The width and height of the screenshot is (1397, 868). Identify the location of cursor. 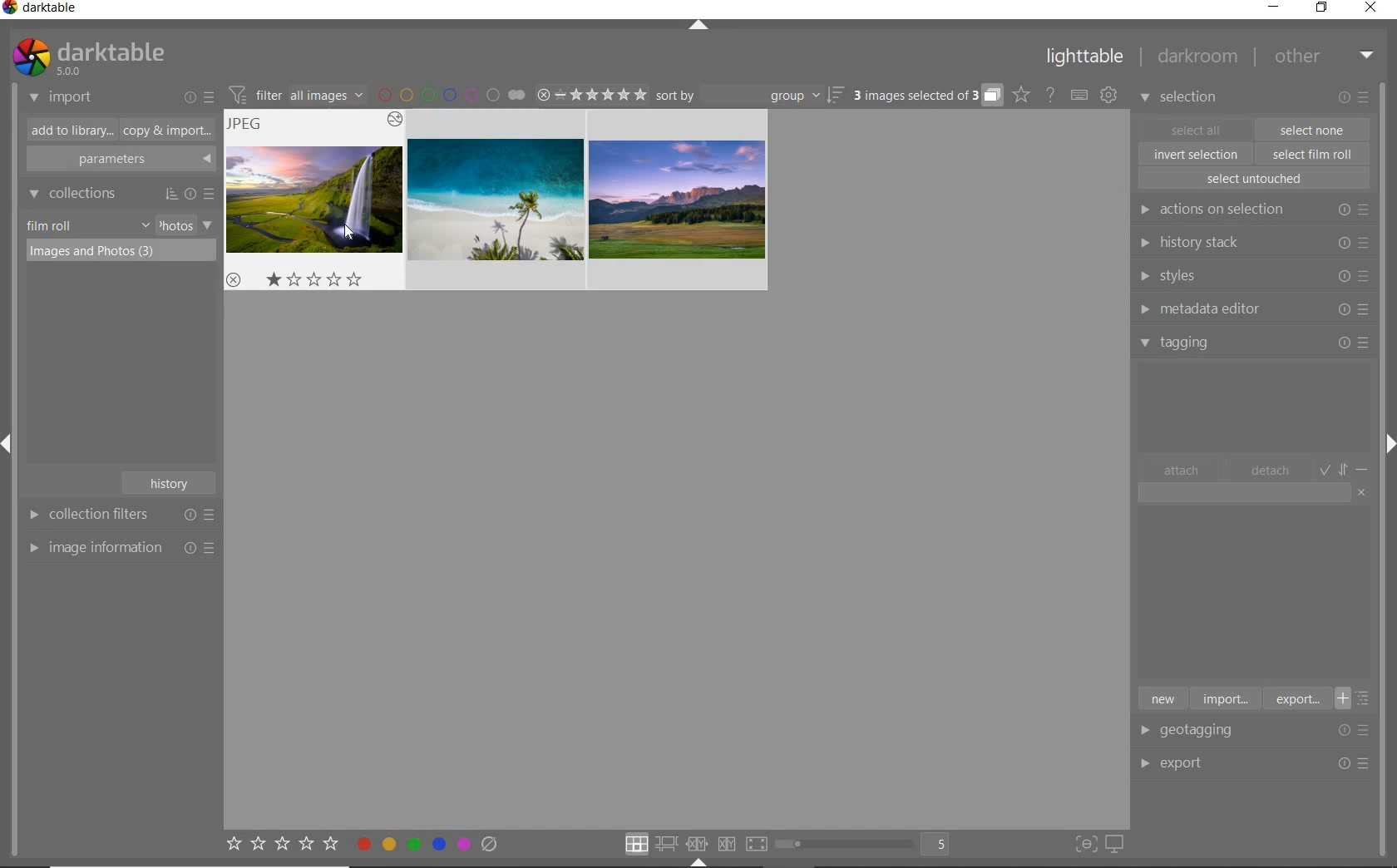
(345, 235).